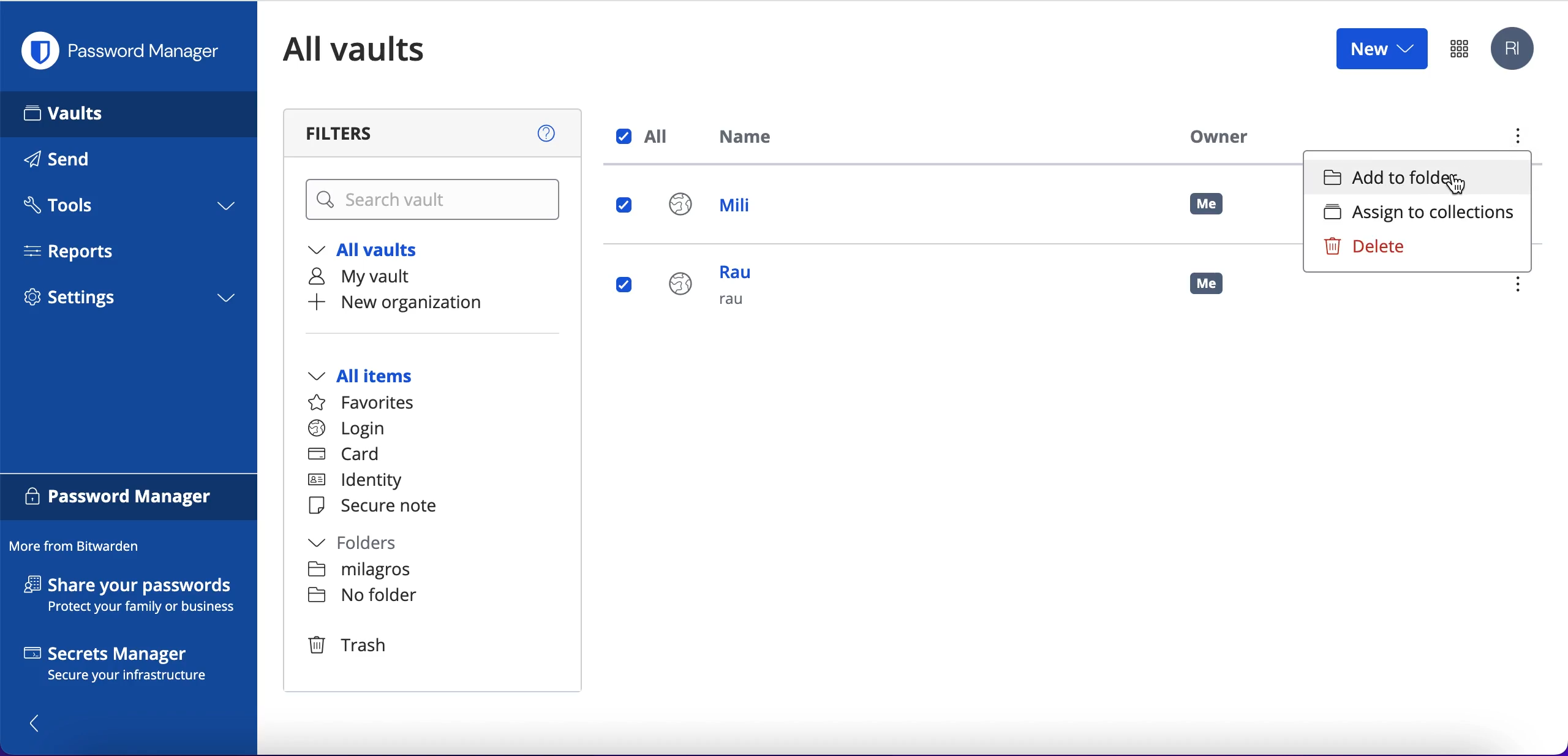 Image resolution: width=1568 pixels, height=756 pixels. What do you see at coordinates (129, 113) in the screenshot?
I see `vaults` at bounding box center [129, 113].